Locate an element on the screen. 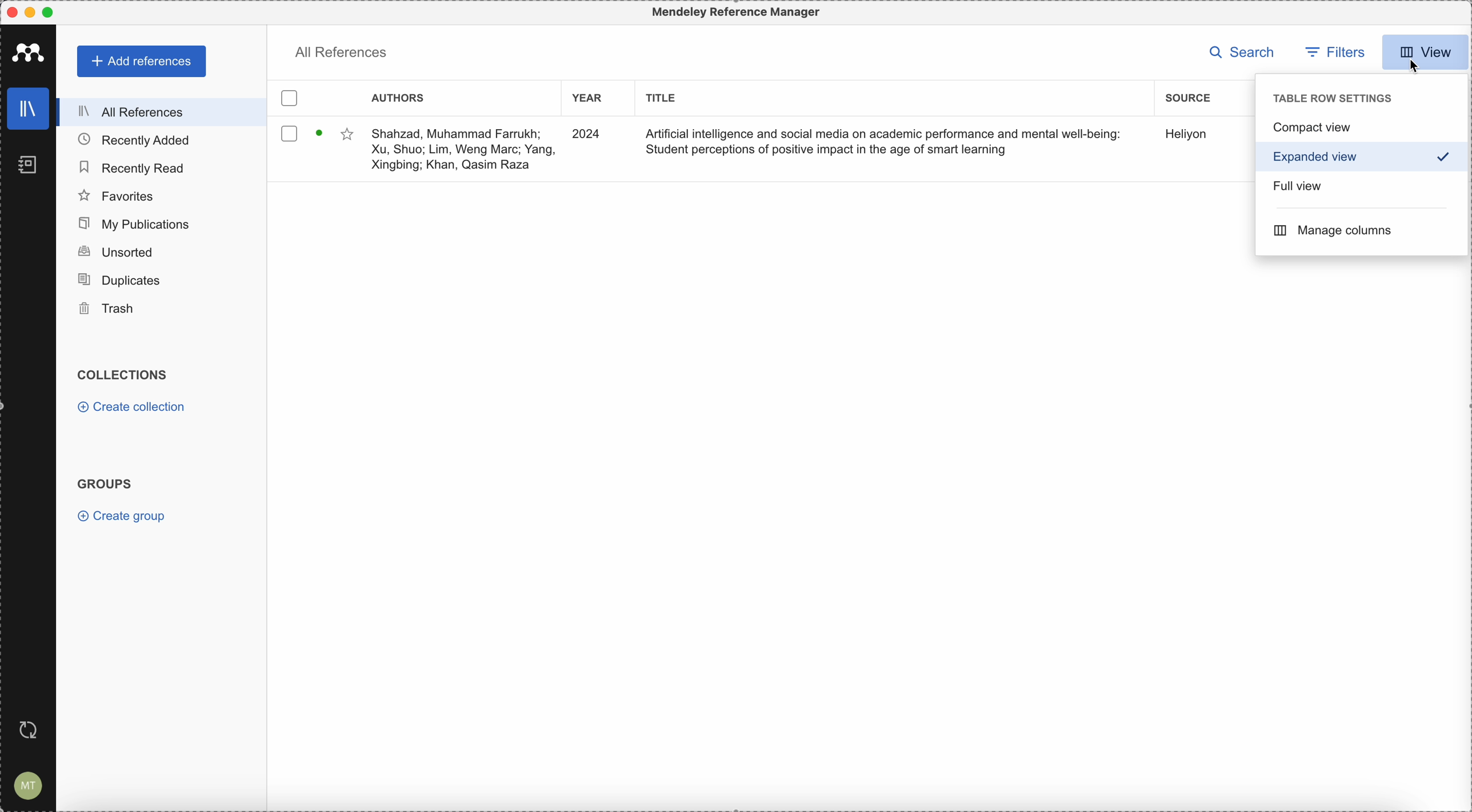 This screenshot has height=812, width=1472. full view is located at coordinates (1295, 189).